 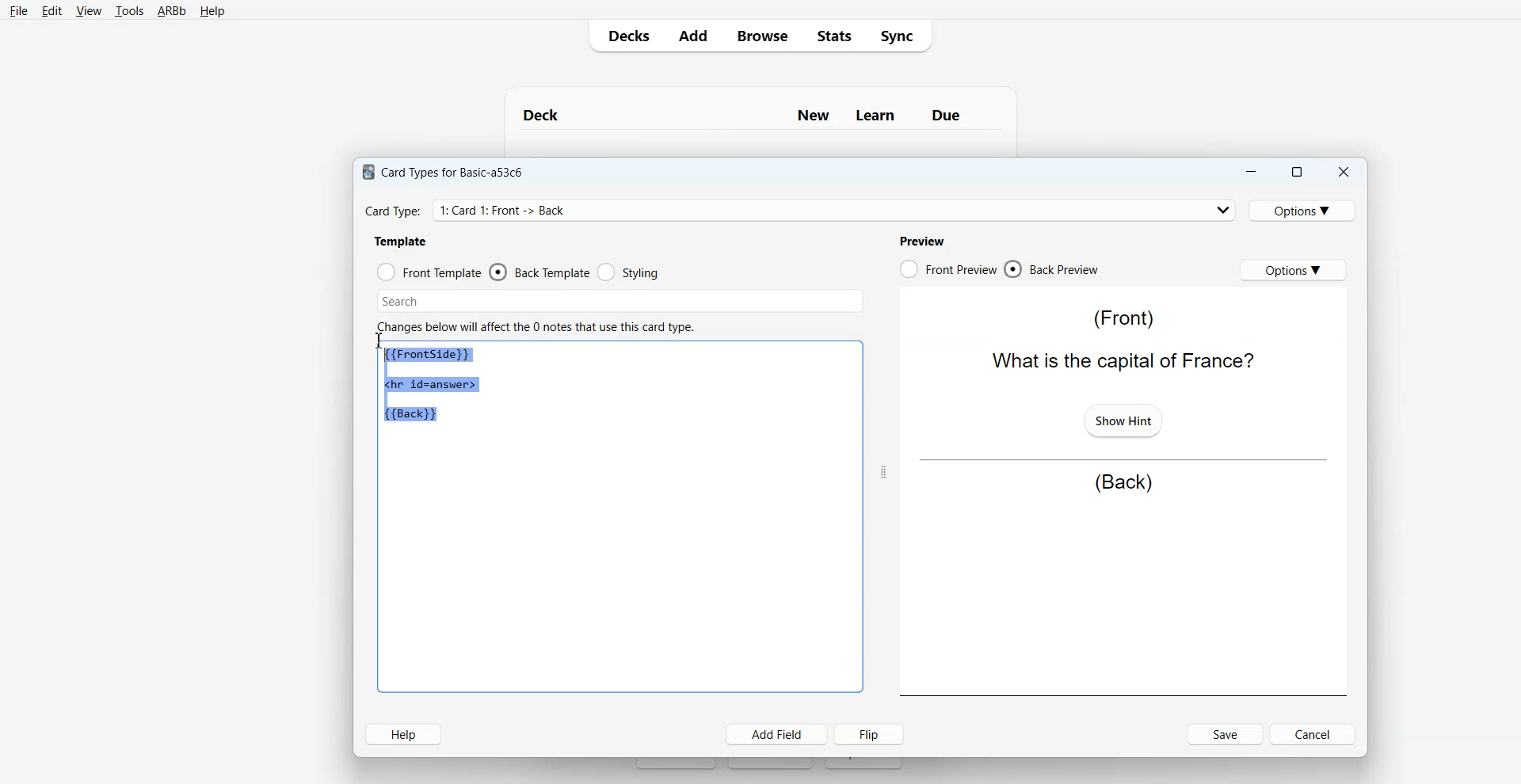 I want to click on Options, so click(x=1305, y=210).